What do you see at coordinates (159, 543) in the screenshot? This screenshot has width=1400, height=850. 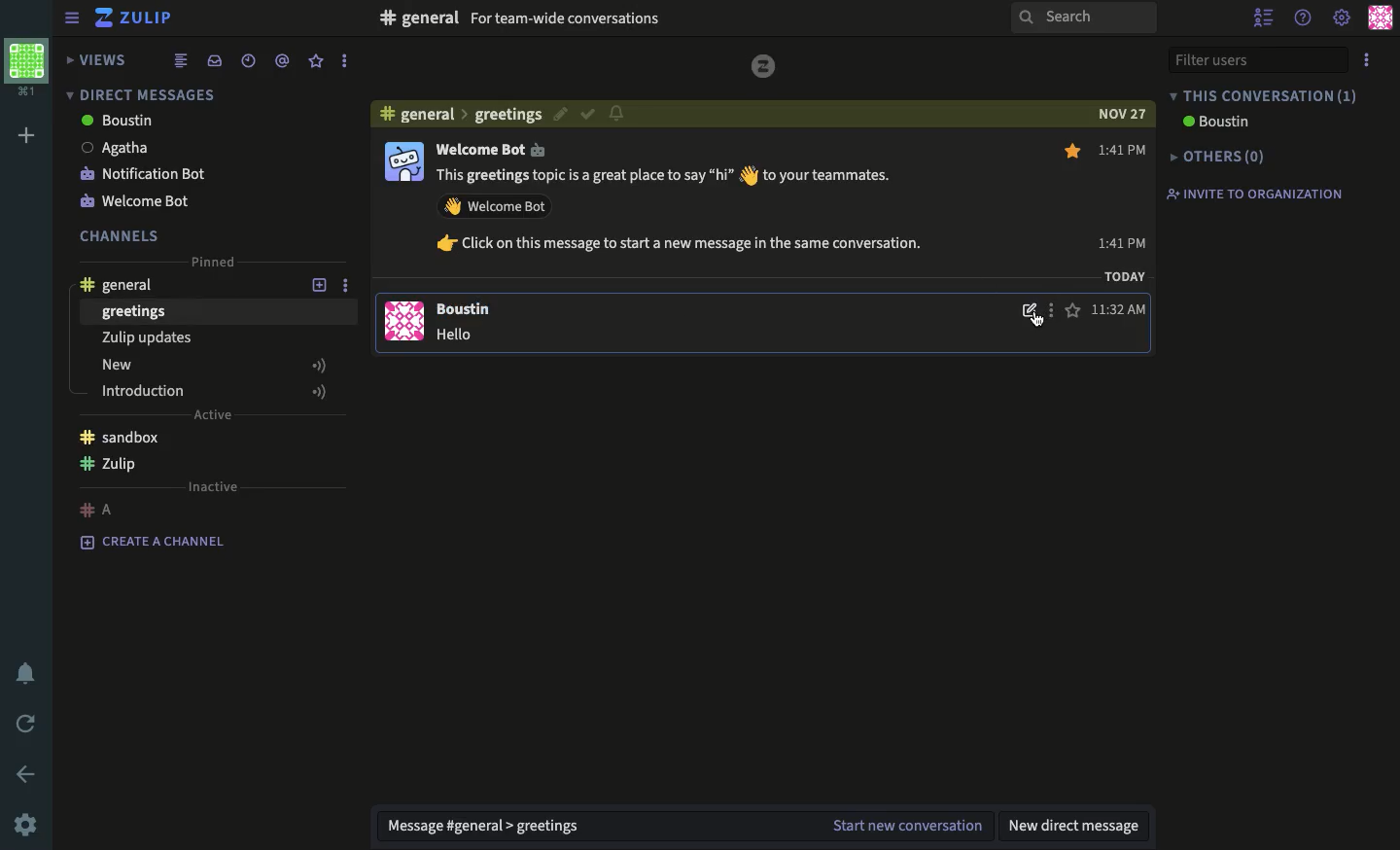 I see `create a channel` at bounding box center [159, 543].